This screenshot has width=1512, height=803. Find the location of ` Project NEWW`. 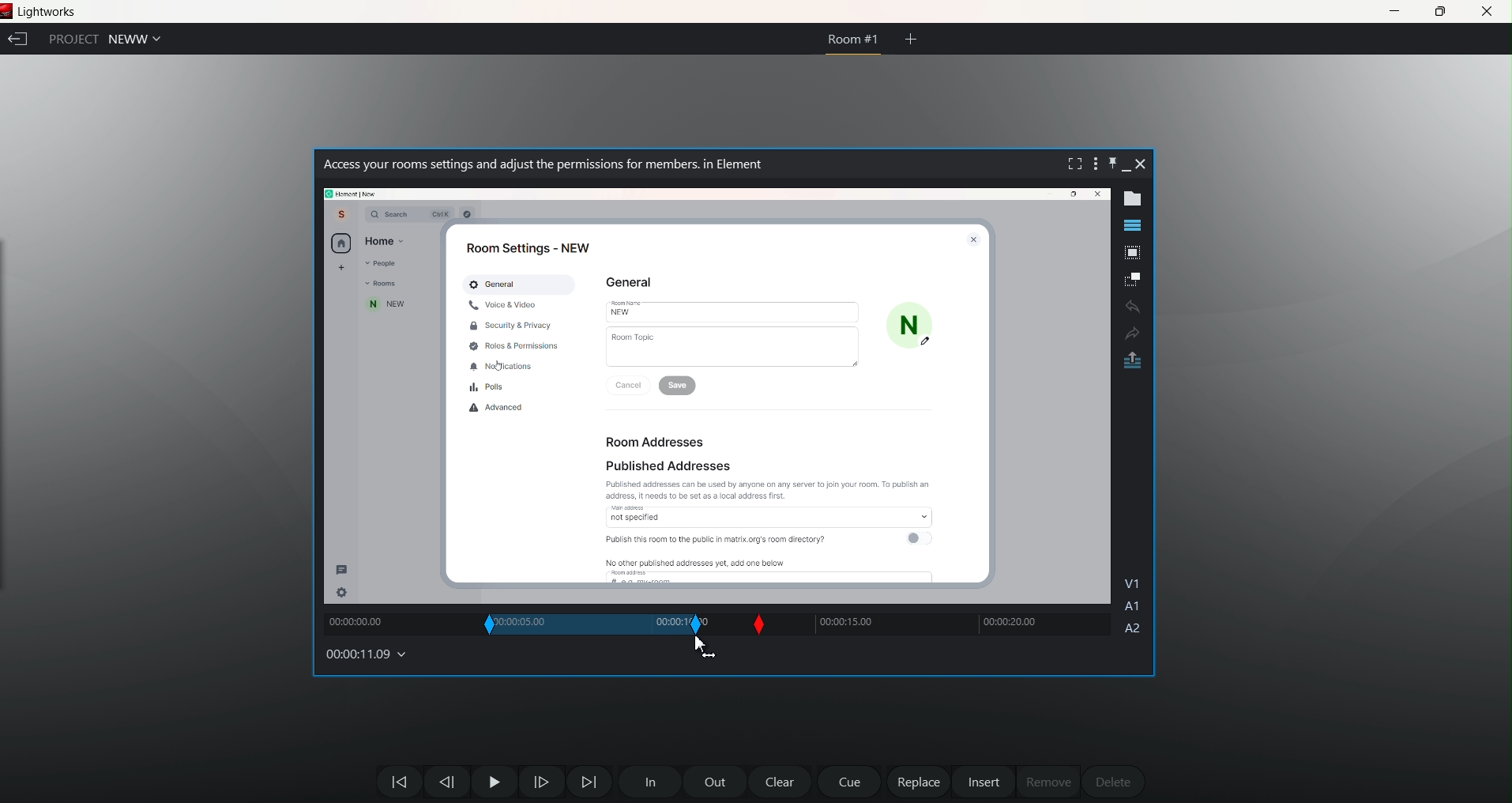

 Project NEWW is located at coordinates (106, 40).